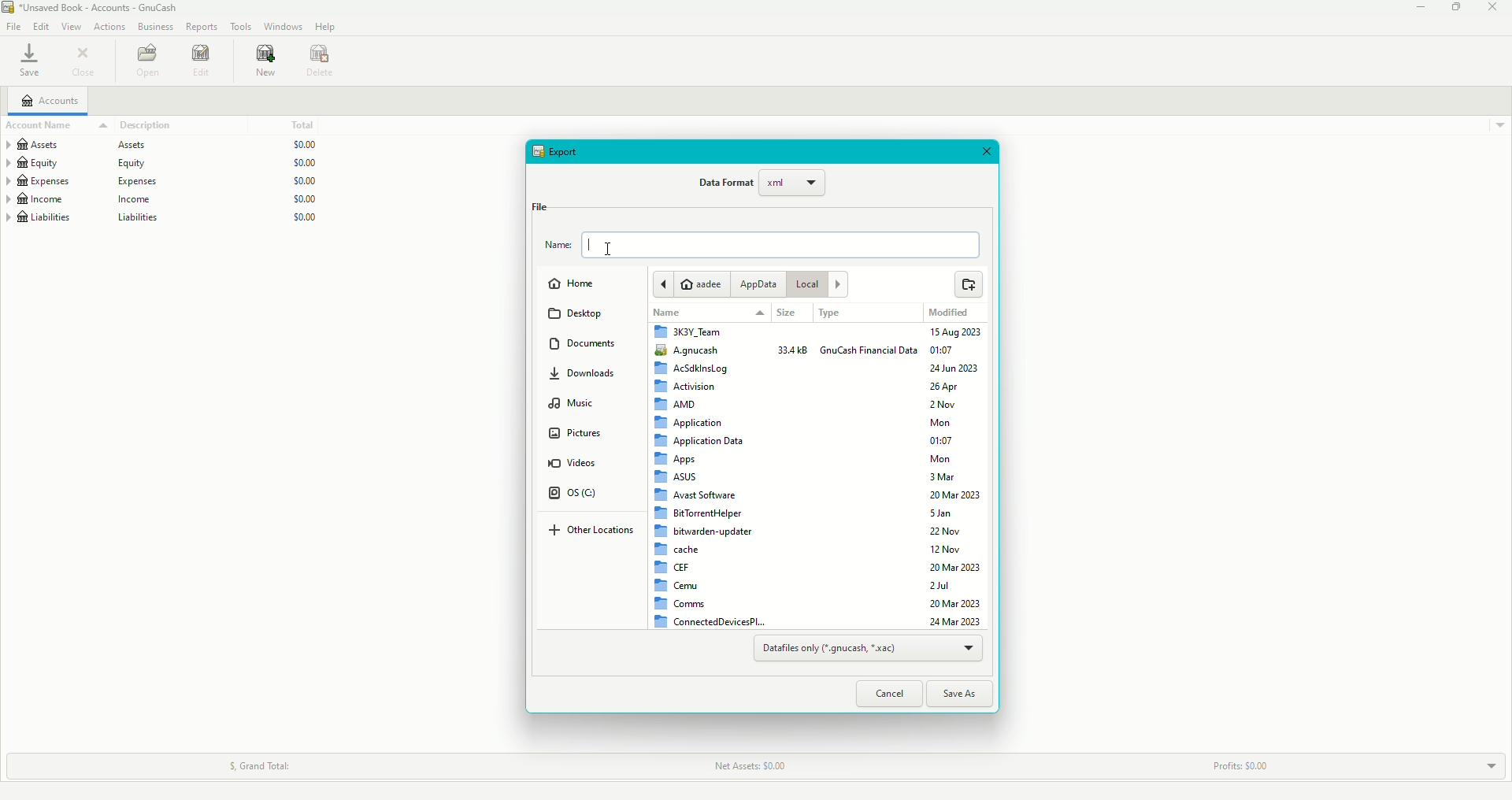 Image resolution: width=1512 pixels, height=800 pixels. I want to click on GnuCash, so click(869, 351).